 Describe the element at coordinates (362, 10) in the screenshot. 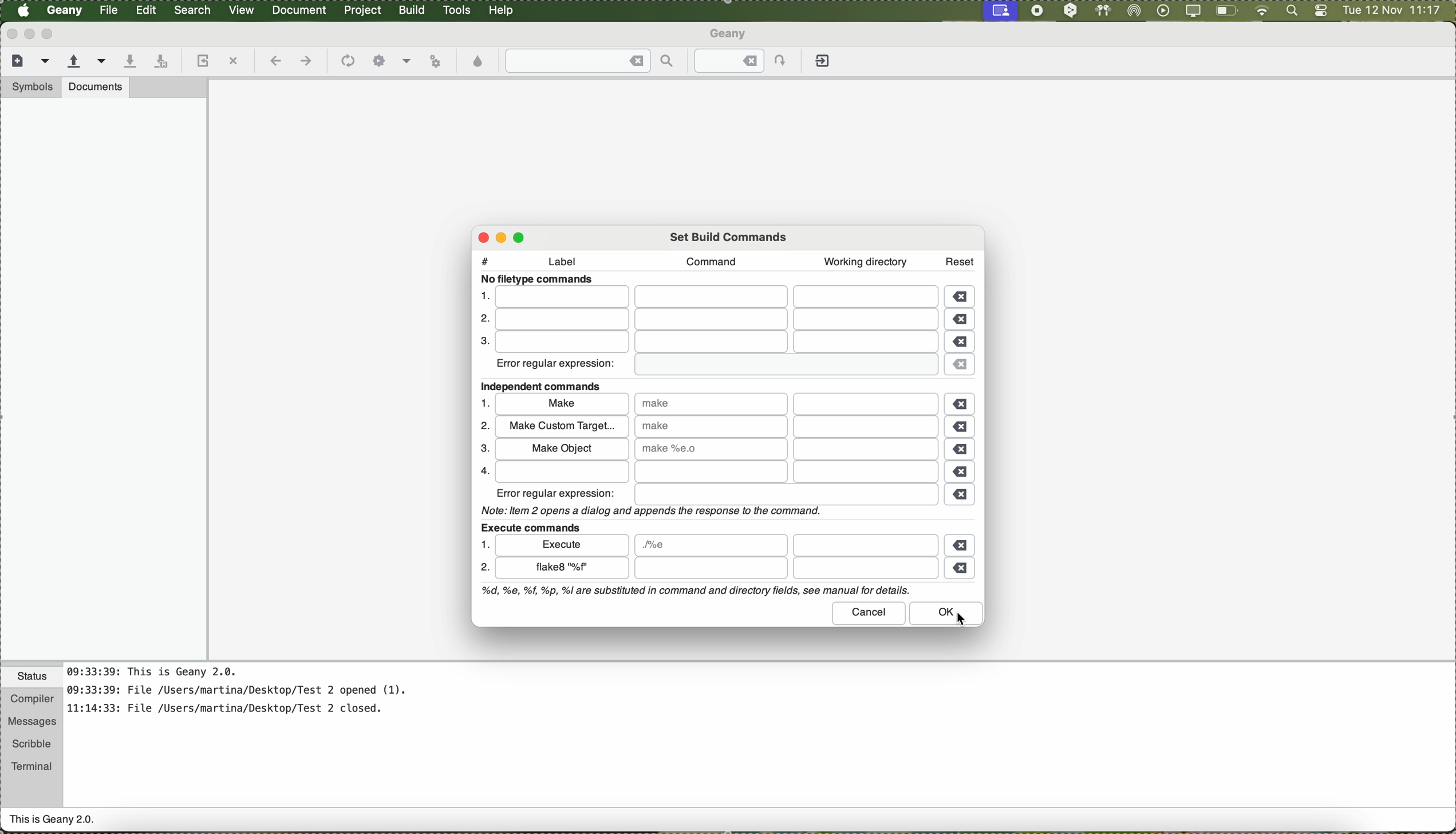

I see `project` at that location.